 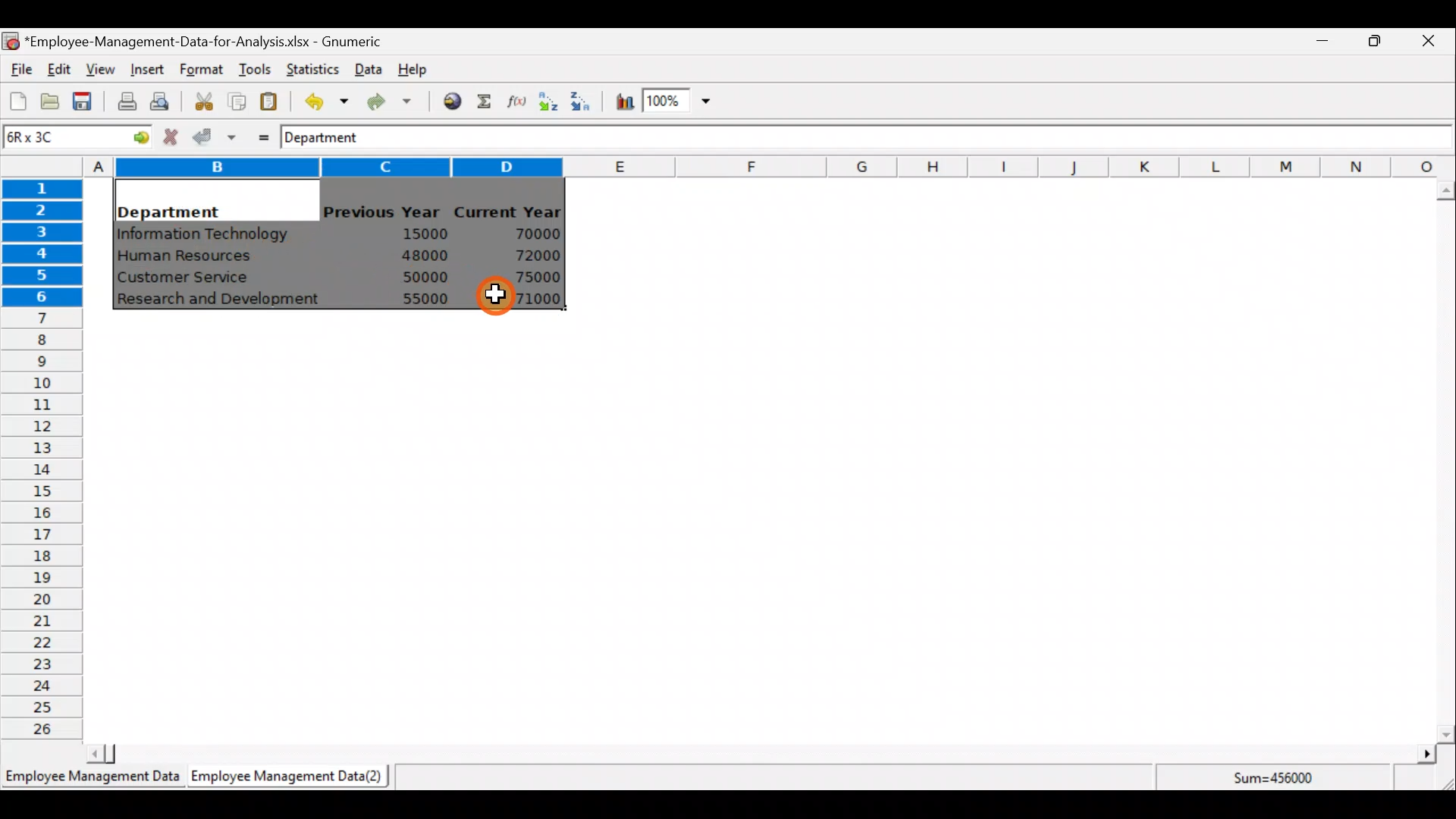 What do you see at coordinates (173, 136) in the screenshot?
I see `Cancel change` at bounding box center [173, 136].